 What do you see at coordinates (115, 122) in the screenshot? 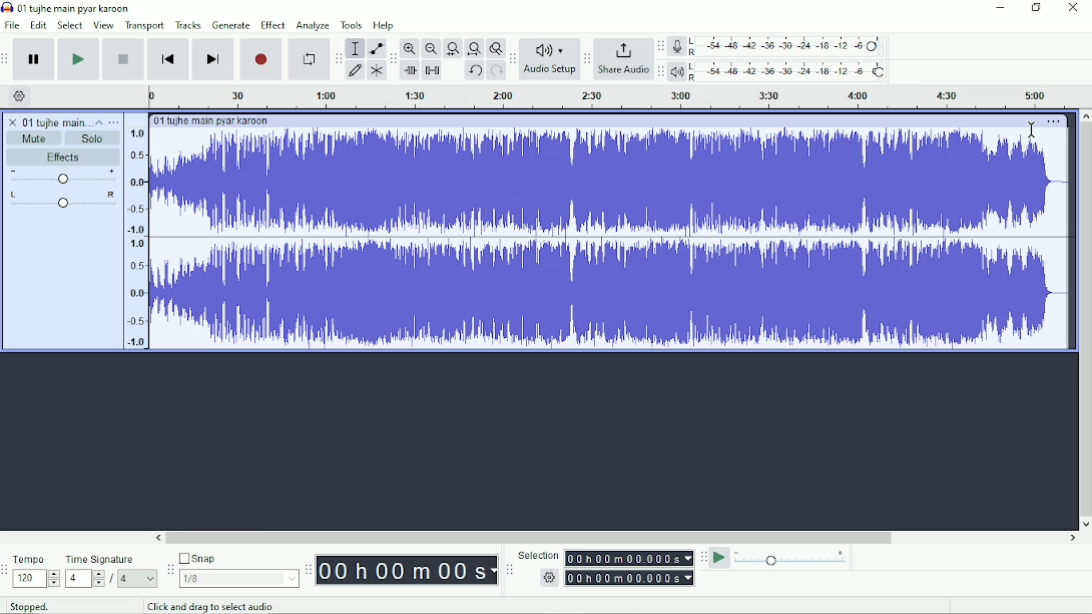
I see `Open menu` at bounding box center [115, 122].